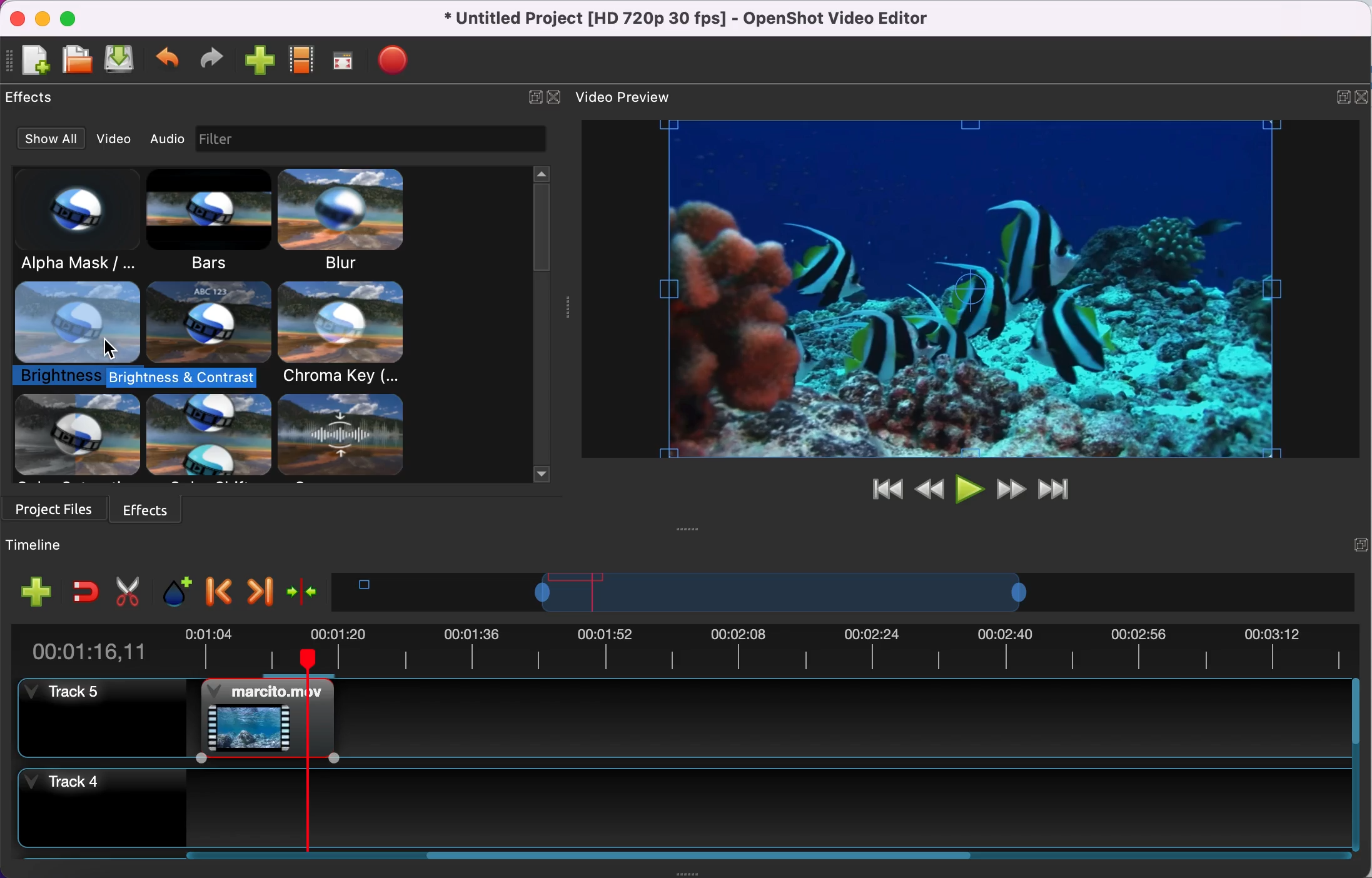 The height and width of the screenshot is (878, 1372). Describe the element at coordinates (681, 648) in the screenshot. I see `duration` at that location.